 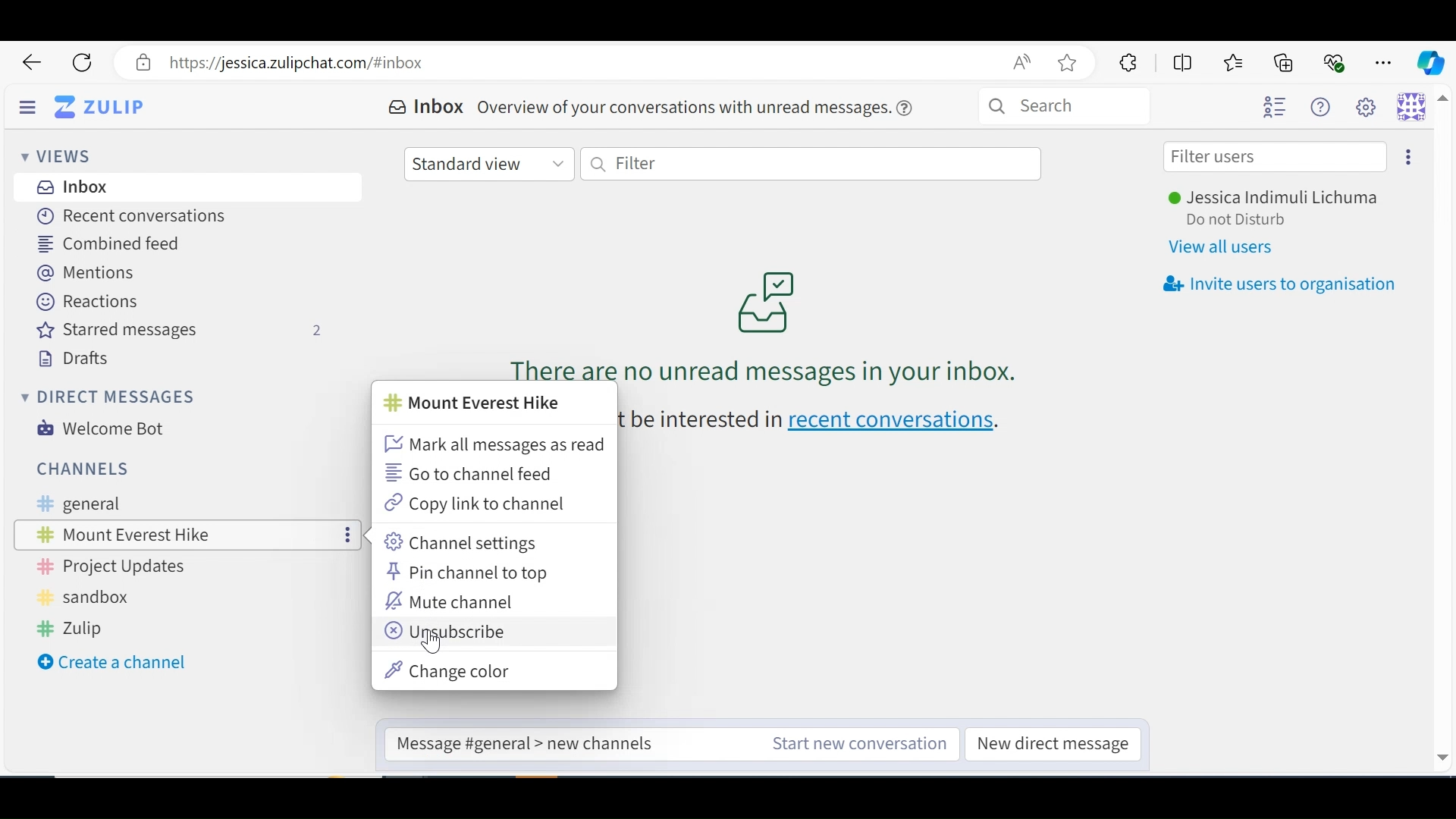 I want to click on Username, so click(x=1281, y=199).